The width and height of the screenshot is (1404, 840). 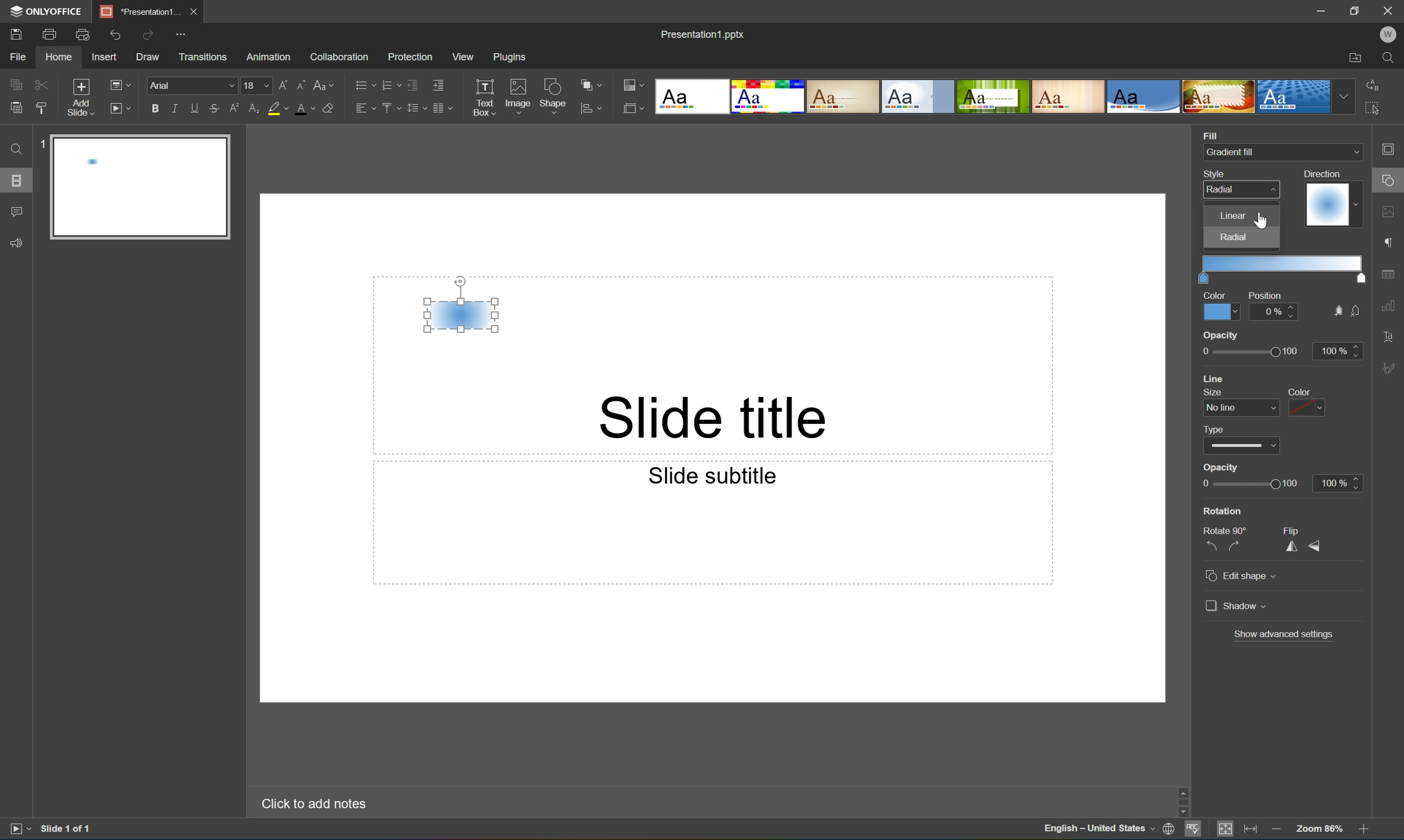 What do you see at coordinates (83, 35) in the screenshot?
I see `Print preview` at bounding box center [83, 35].